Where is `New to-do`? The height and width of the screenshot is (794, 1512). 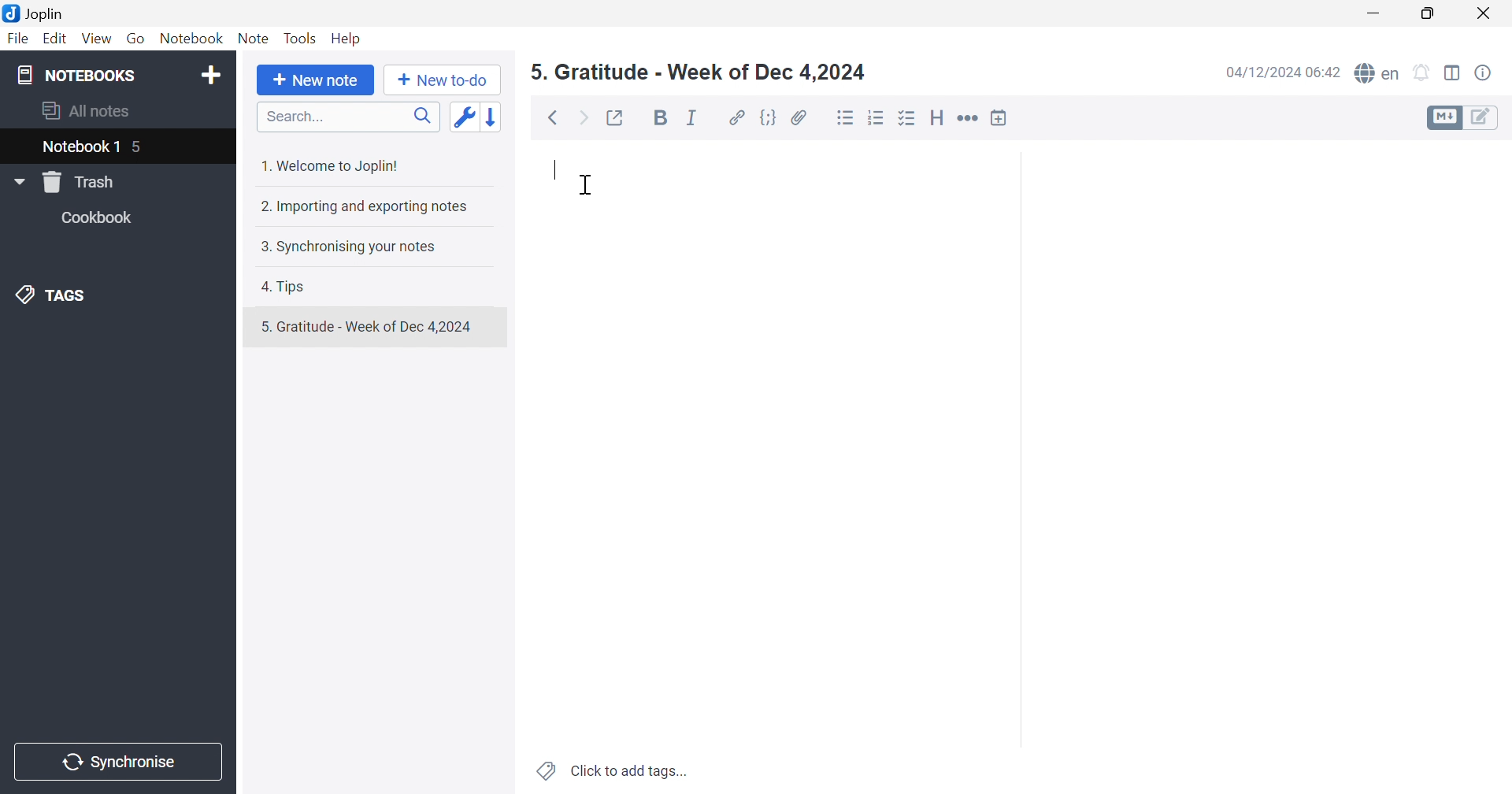
New to-do is located at coordinates (443, 80).